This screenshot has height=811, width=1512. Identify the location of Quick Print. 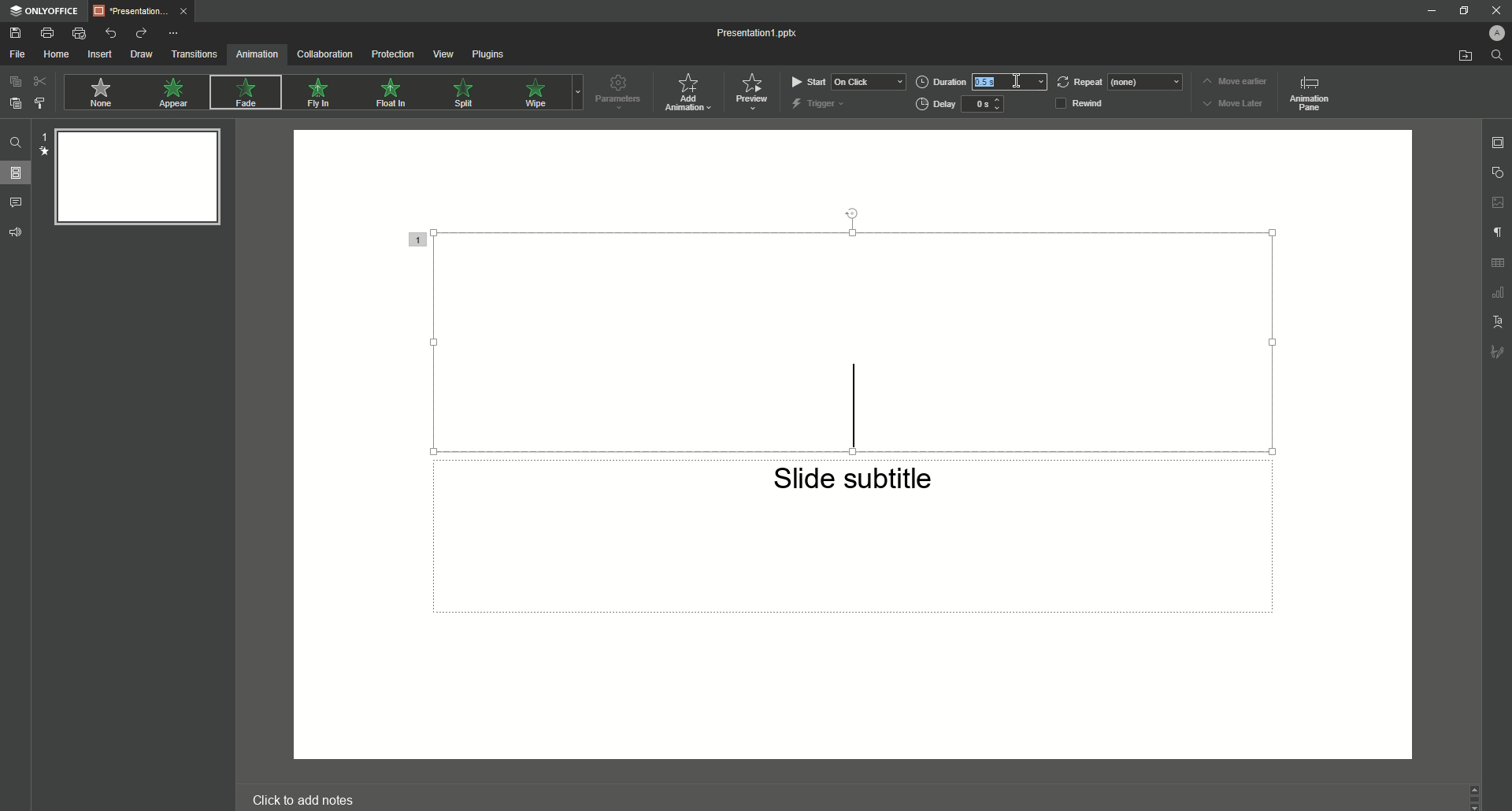
(79, 33).